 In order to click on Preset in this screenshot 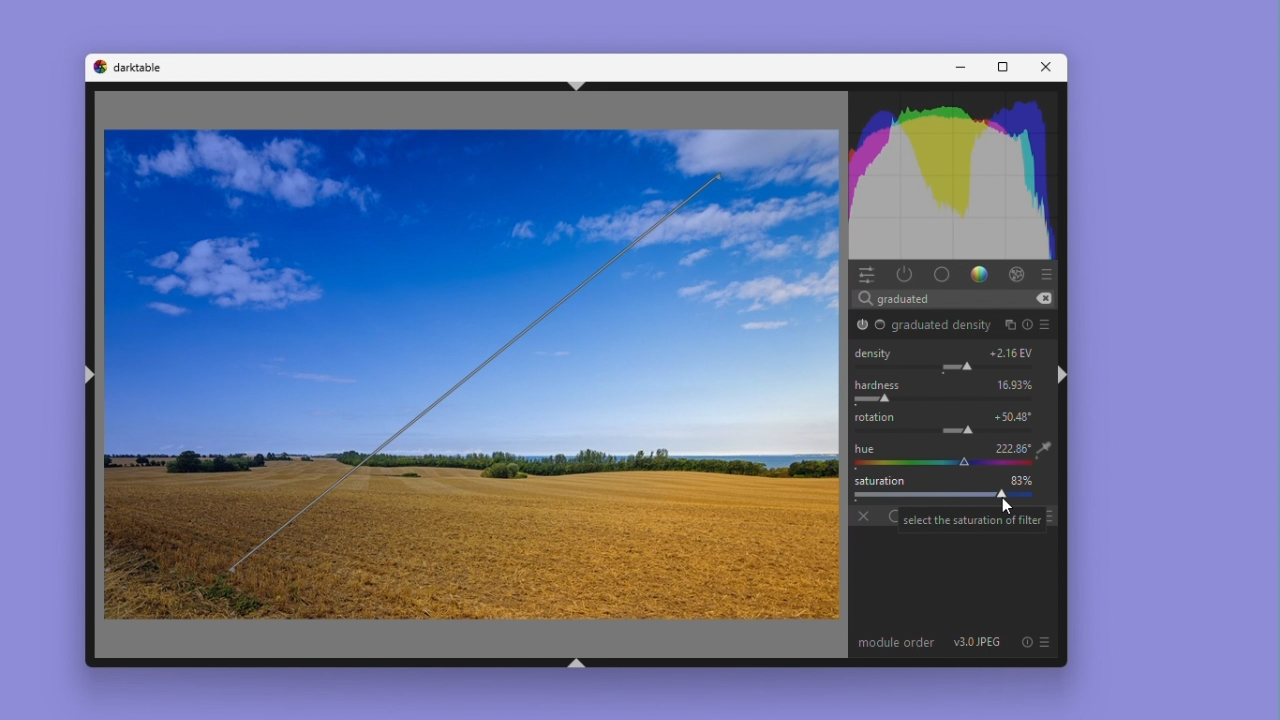, I will do `click(1047, 642)`.